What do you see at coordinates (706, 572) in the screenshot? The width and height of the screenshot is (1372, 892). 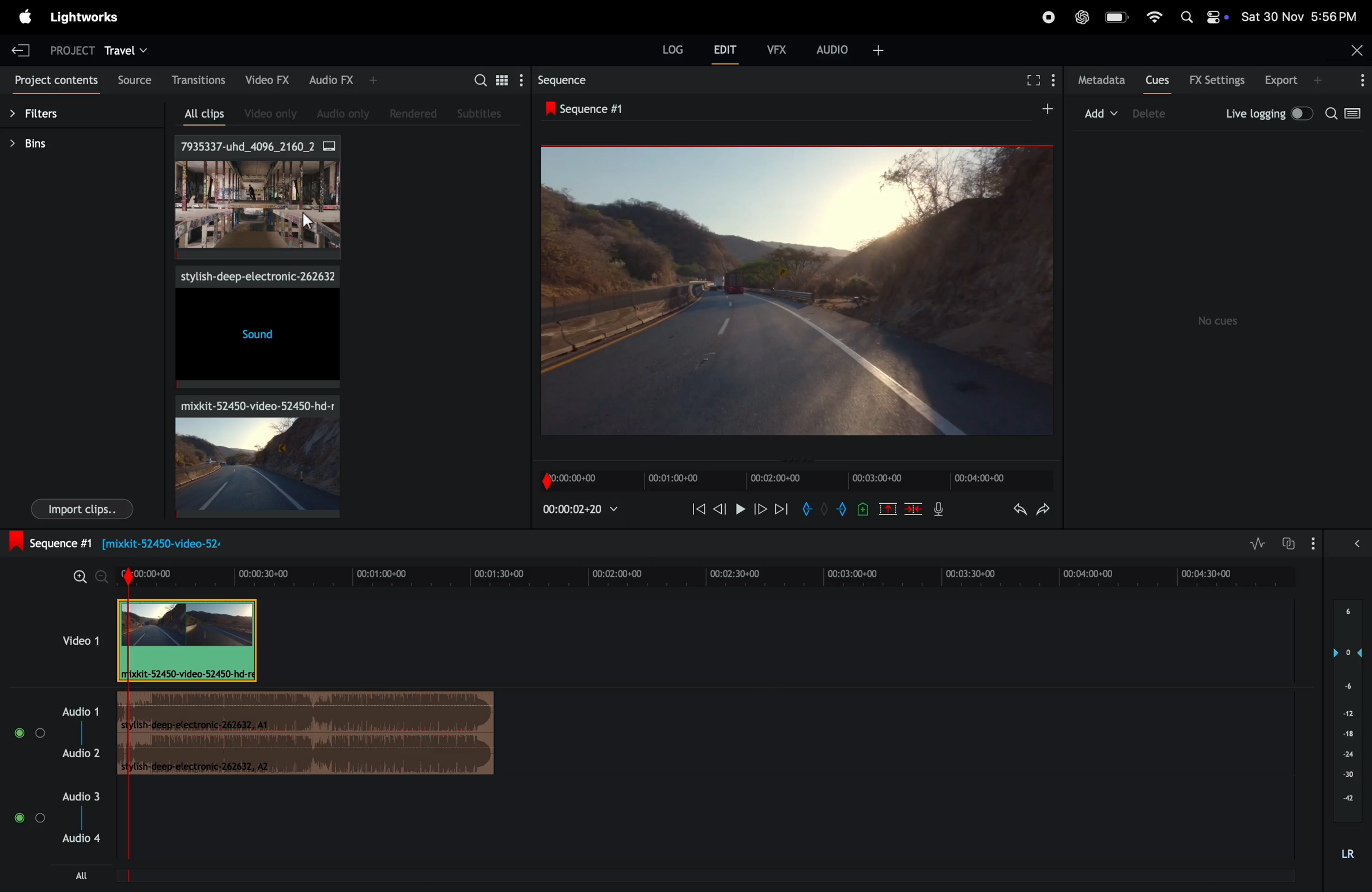 I see `time frame` at bounding box center [706, 572].